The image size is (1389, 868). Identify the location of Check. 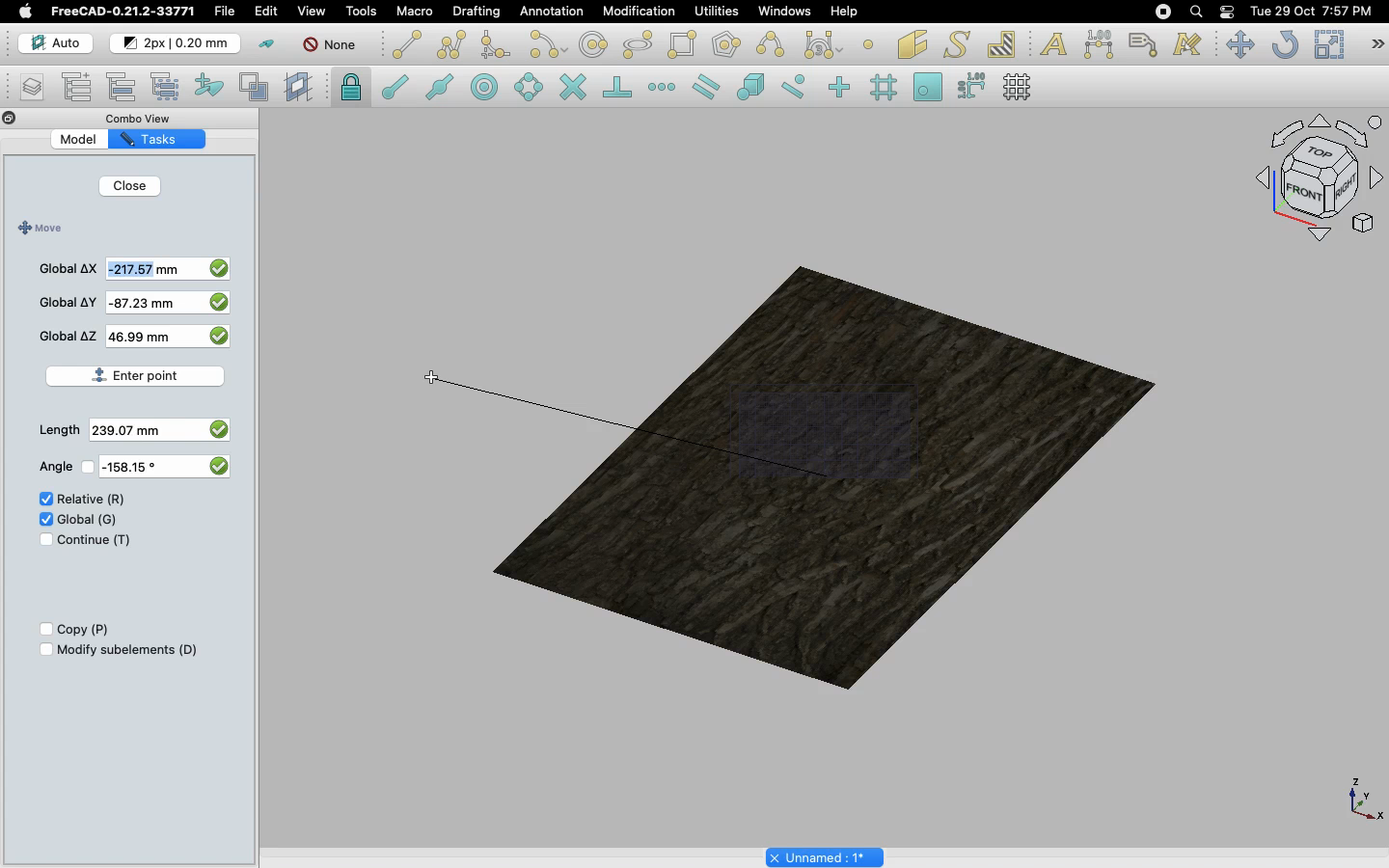
(40, 542).